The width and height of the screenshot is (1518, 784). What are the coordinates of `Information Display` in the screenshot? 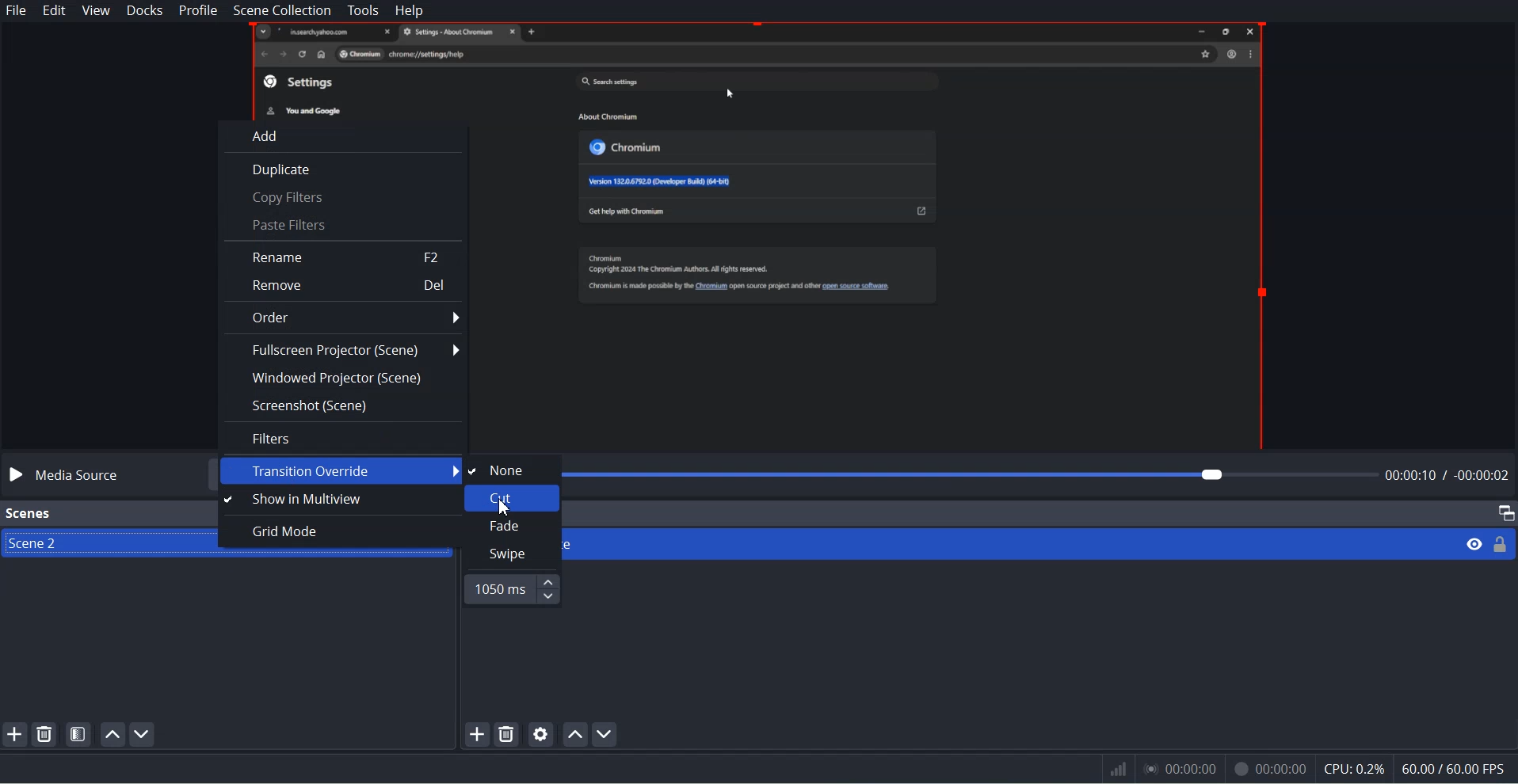 It's located at (1299, 770).